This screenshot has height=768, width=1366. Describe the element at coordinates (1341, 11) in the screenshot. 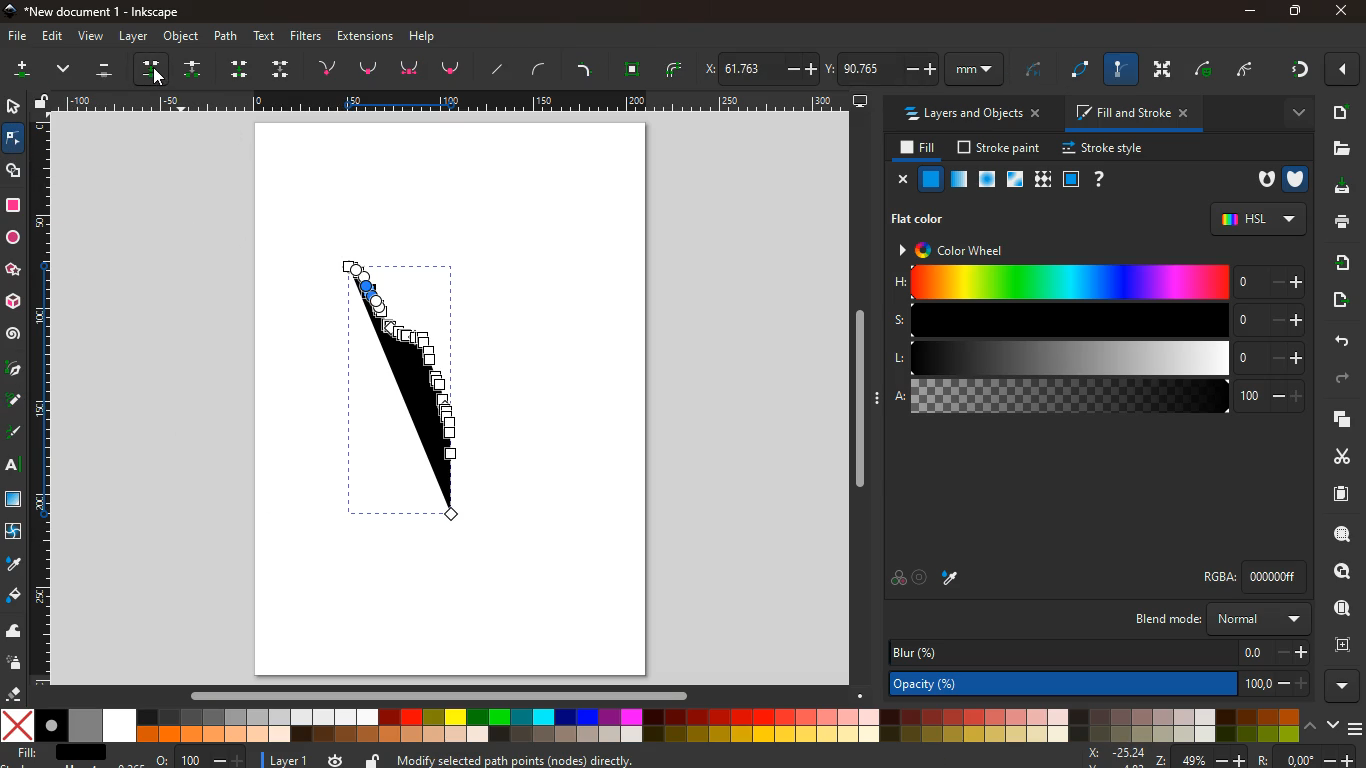

I see `Close` at that location.